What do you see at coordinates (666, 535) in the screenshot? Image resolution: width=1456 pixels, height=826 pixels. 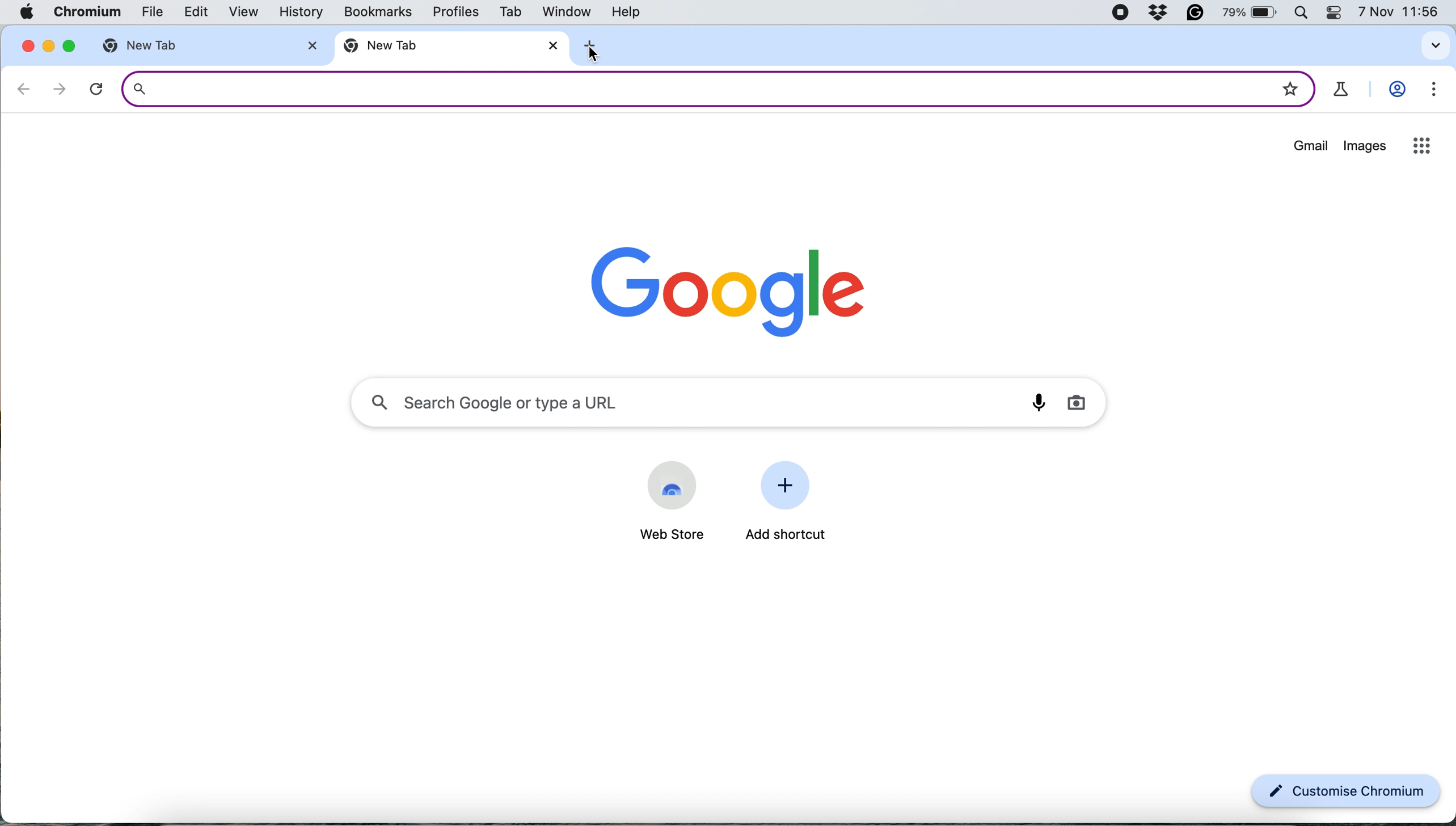 I see `web store` at bounding box center [666, 535].